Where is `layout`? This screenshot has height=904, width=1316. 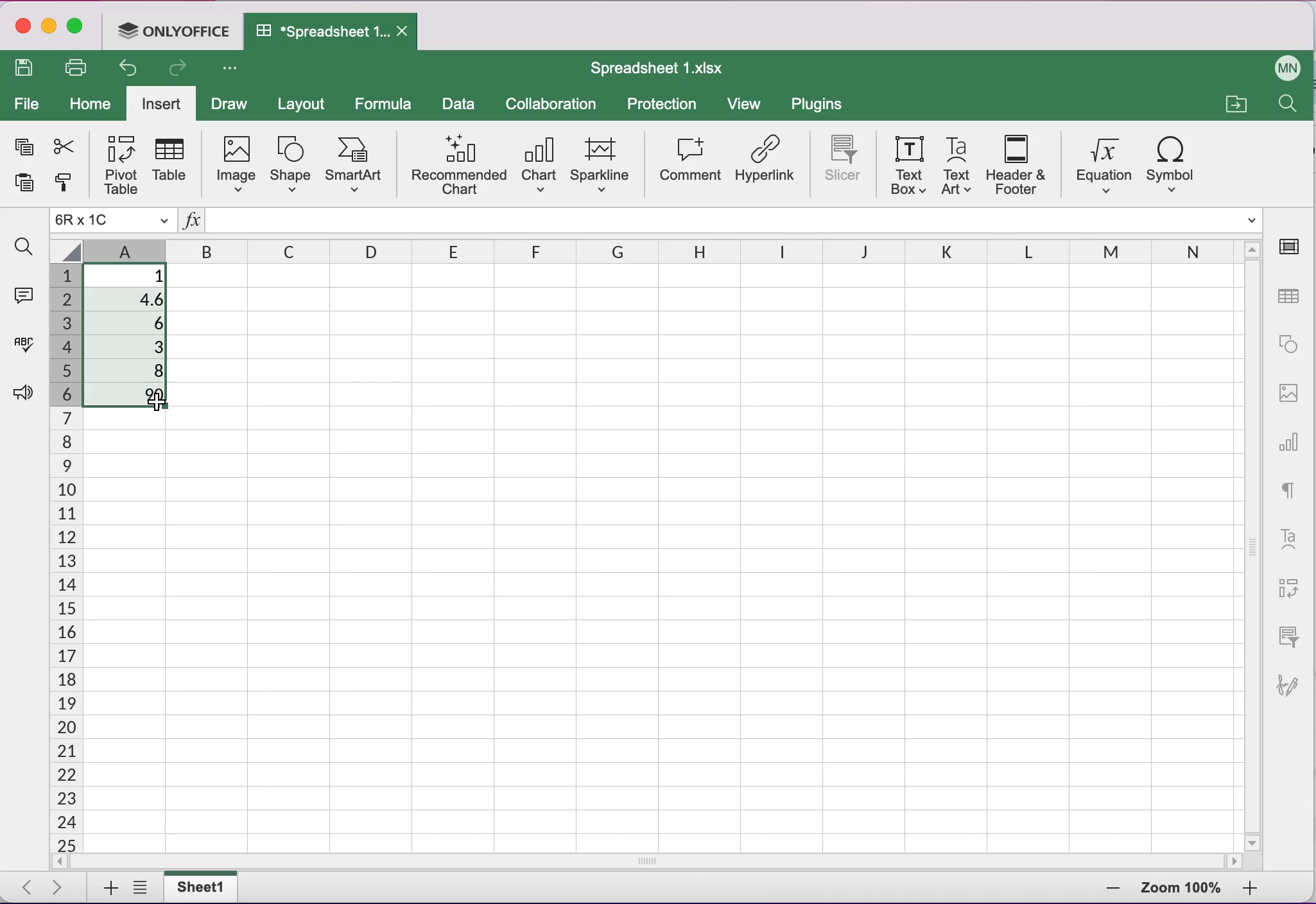
layout is located at coordinates (307, 103).